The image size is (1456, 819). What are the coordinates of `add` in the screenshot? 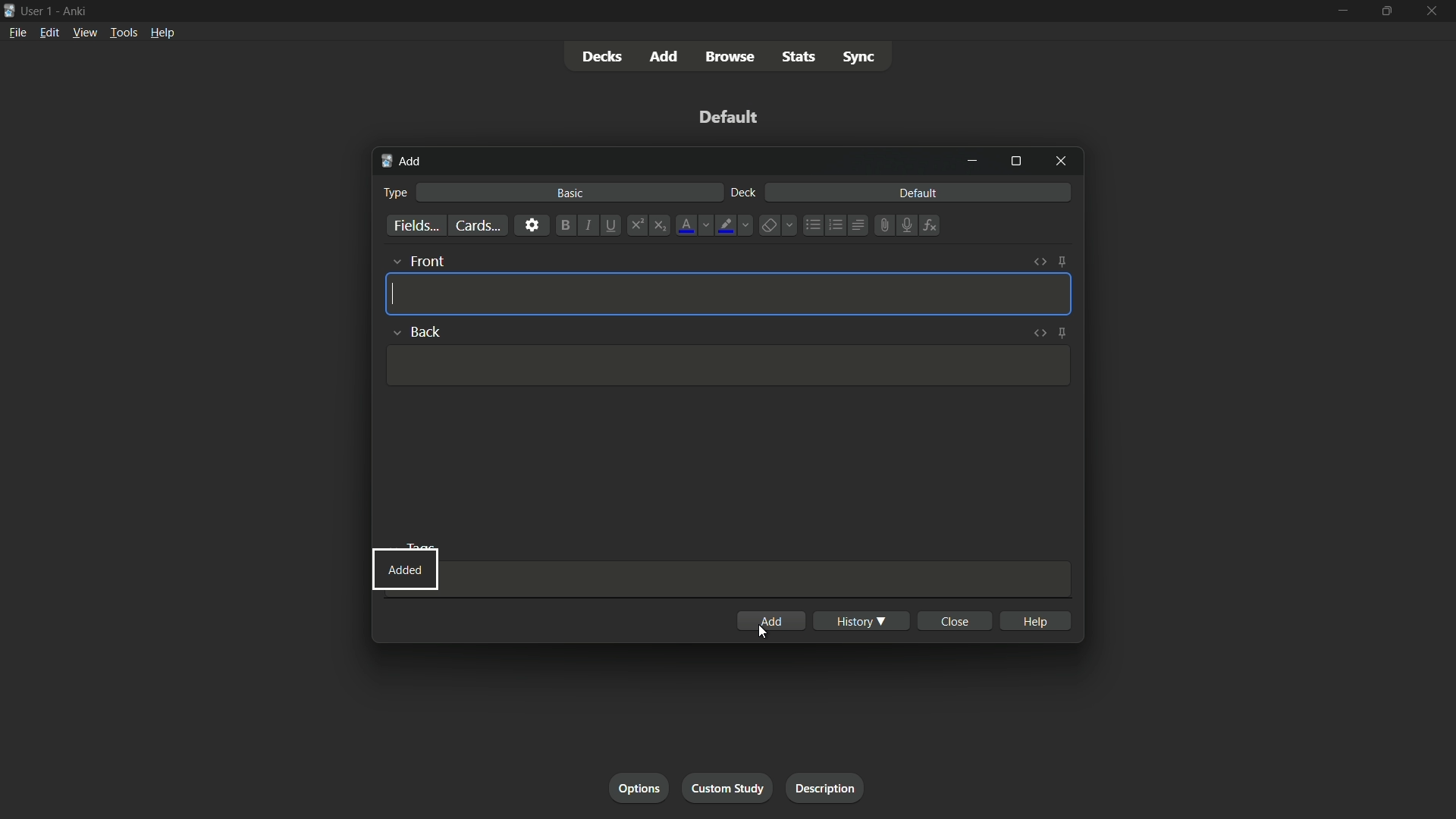 It's located at (665, 56).